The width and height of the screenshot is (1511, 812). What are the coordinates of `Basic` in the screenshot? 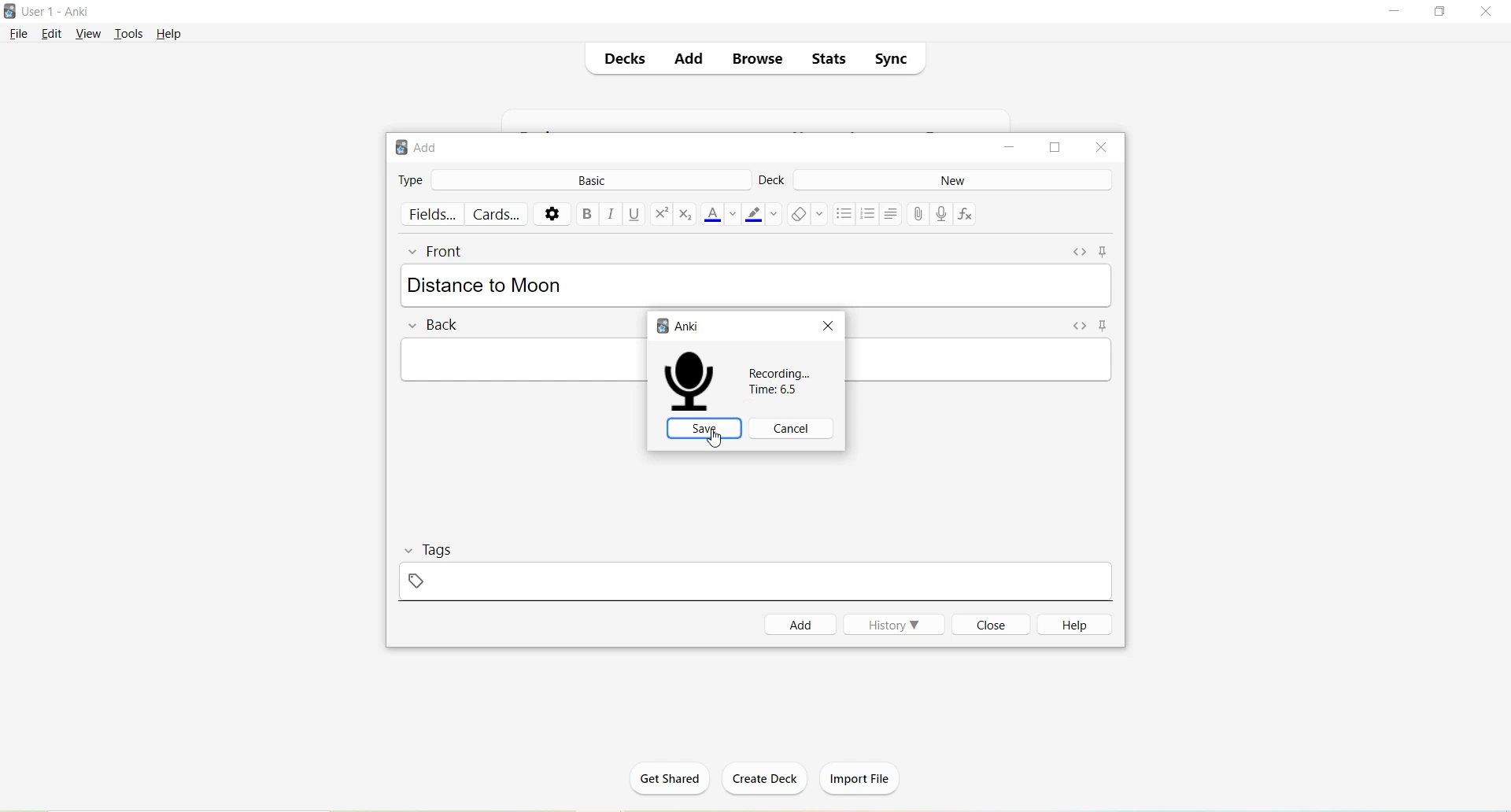 It's located at (588, 181).